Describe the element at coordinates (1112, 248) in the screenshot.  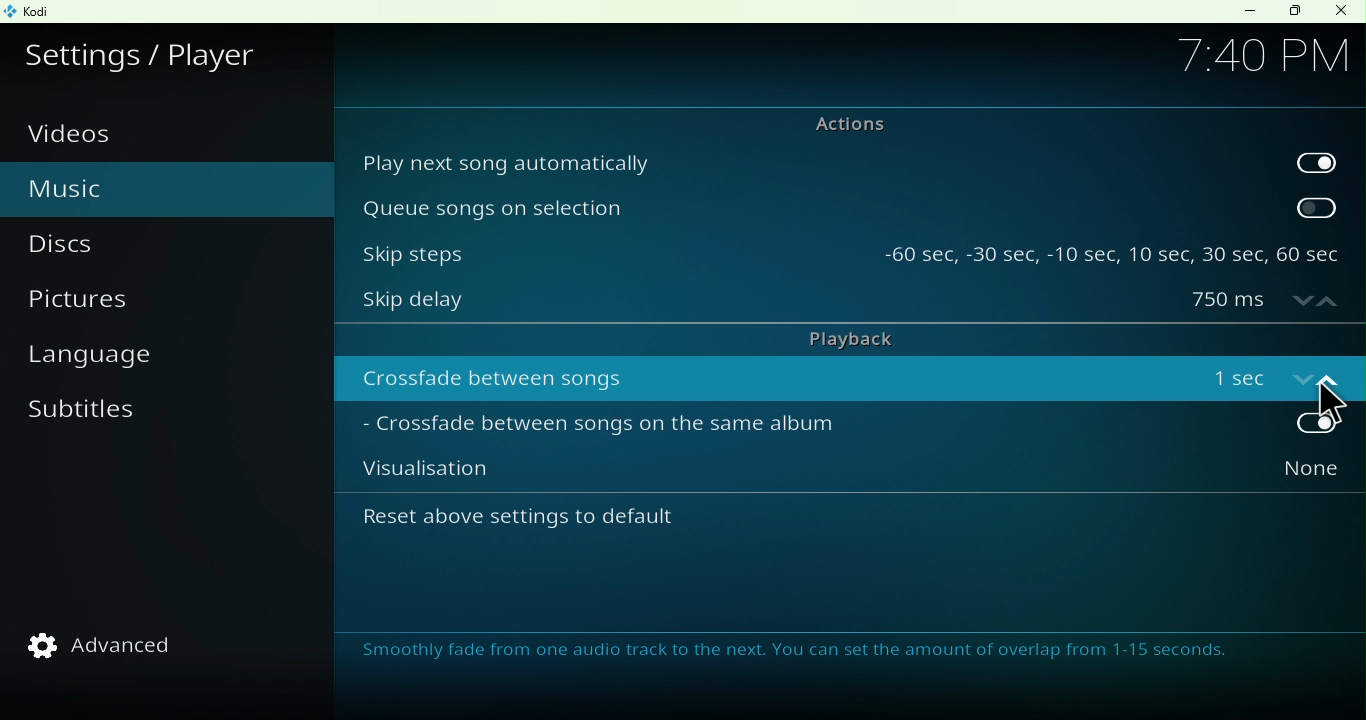
I see `time skips` at that location.